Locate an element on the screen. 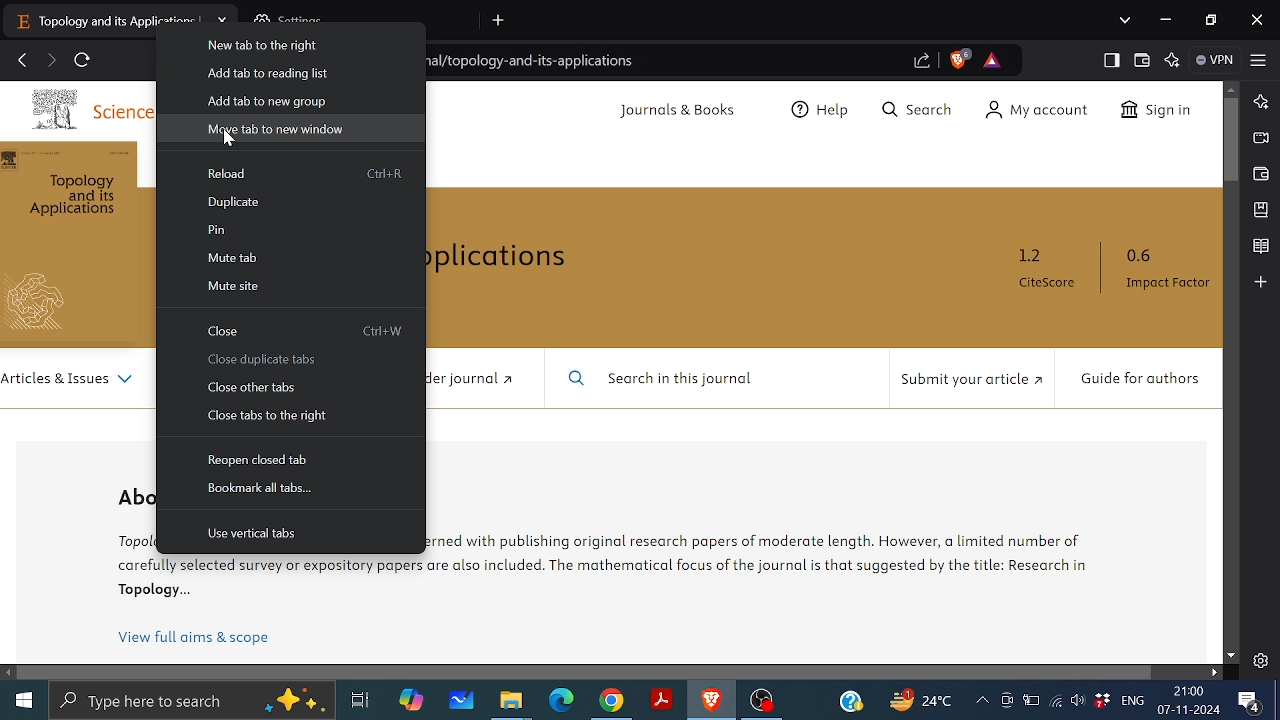 This screenshot has width=1280, height=720. Weather is located at coordinates (917, 699).